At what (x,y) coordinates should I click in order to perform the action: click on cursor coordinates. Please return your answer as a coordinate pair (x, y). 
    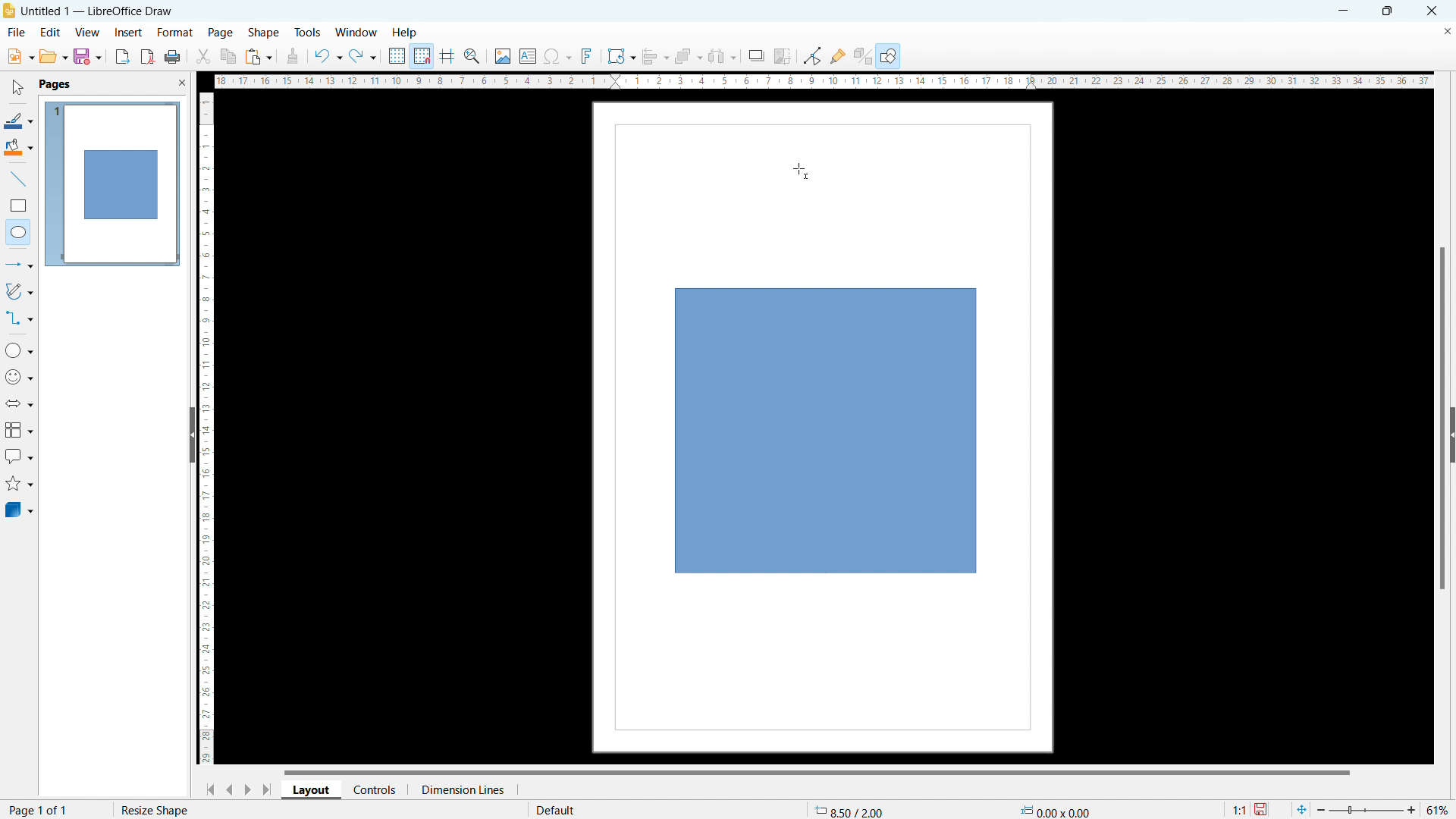
    Looking at the image, I should click on (853, 808).